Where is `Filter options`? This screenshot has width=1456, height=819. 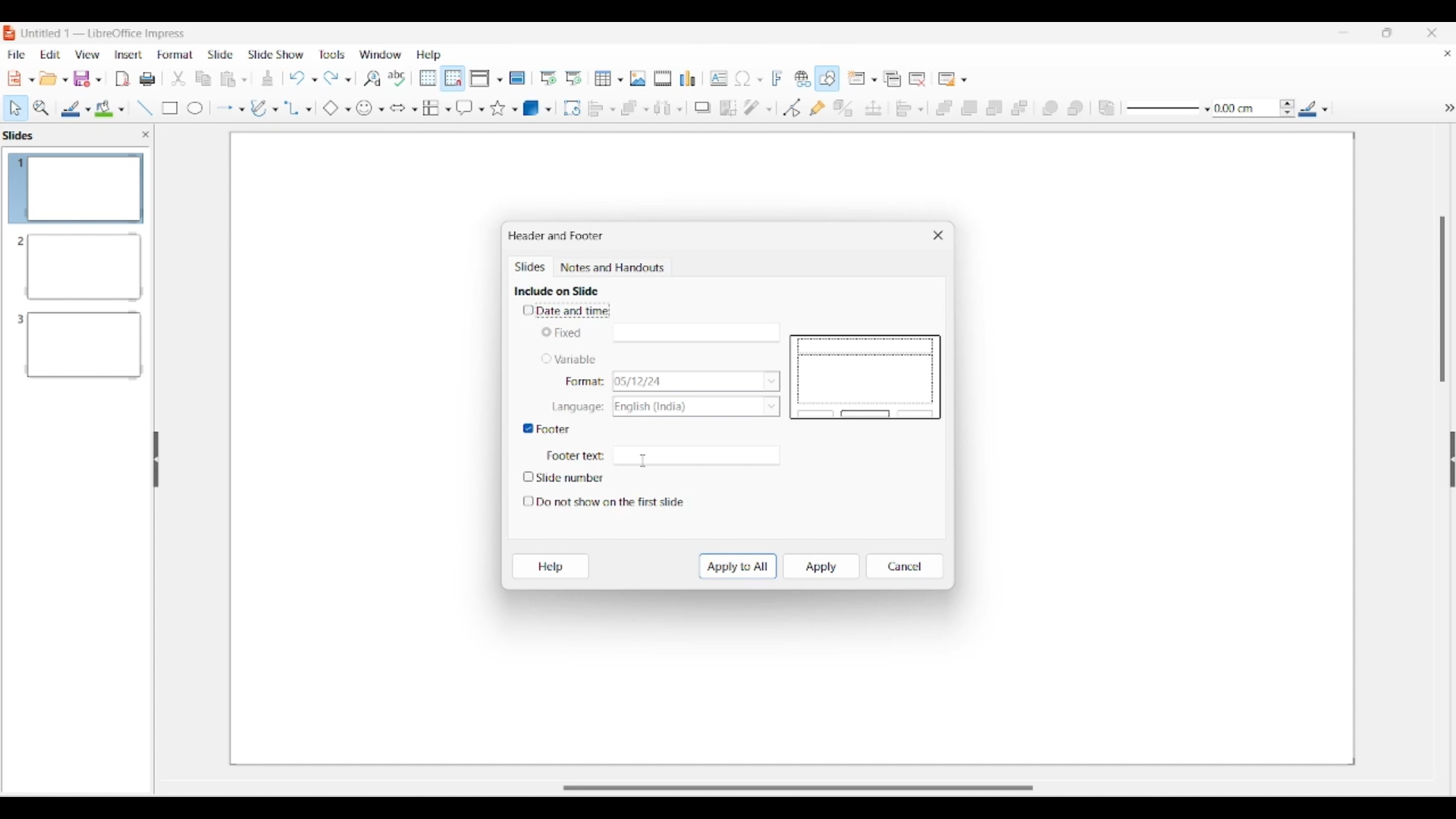
Filter options is located at coordinates (758, 108).